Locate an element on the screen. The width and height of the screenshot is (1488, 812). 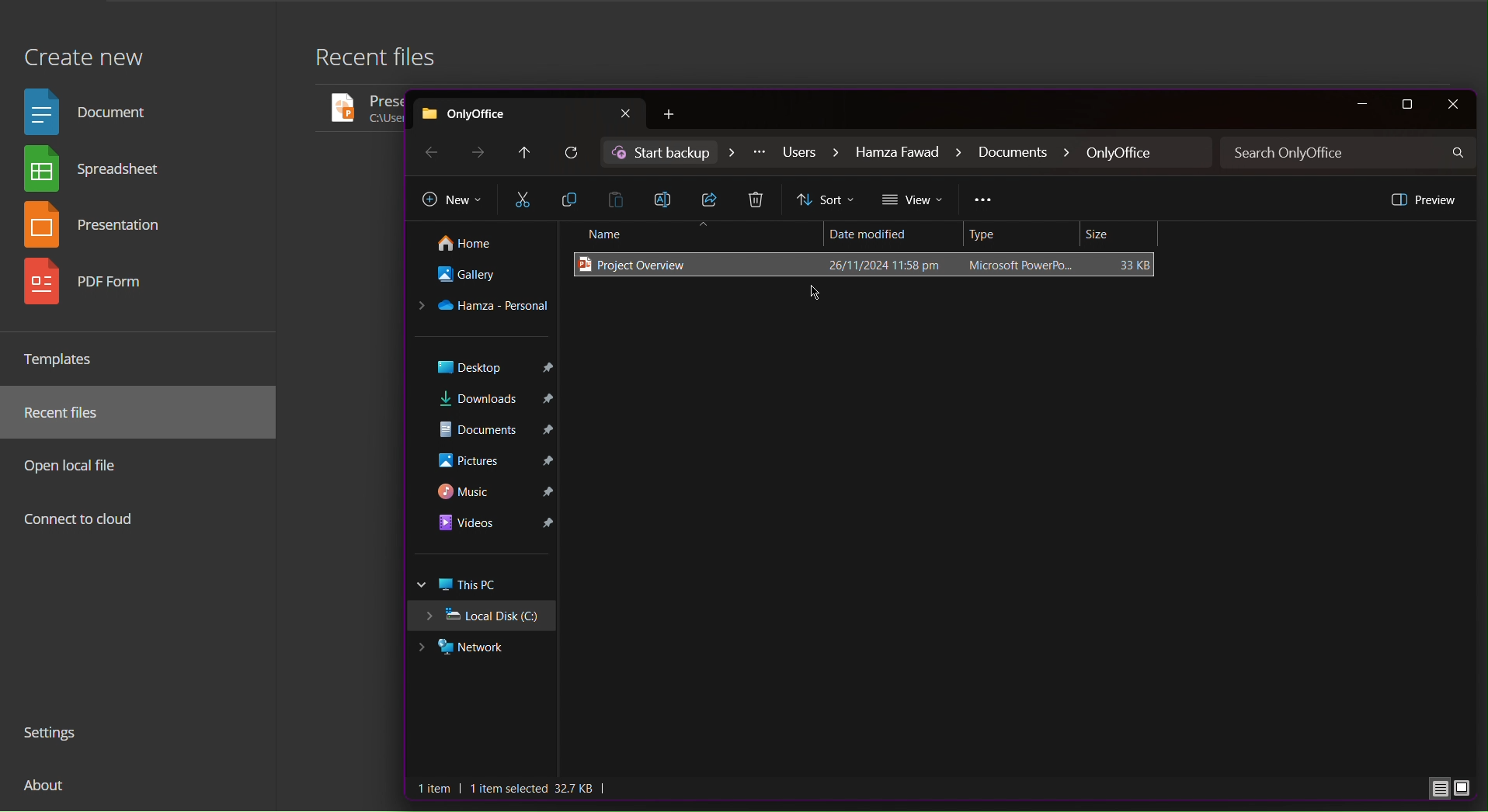
cursor is located at coordinates (815, 290).